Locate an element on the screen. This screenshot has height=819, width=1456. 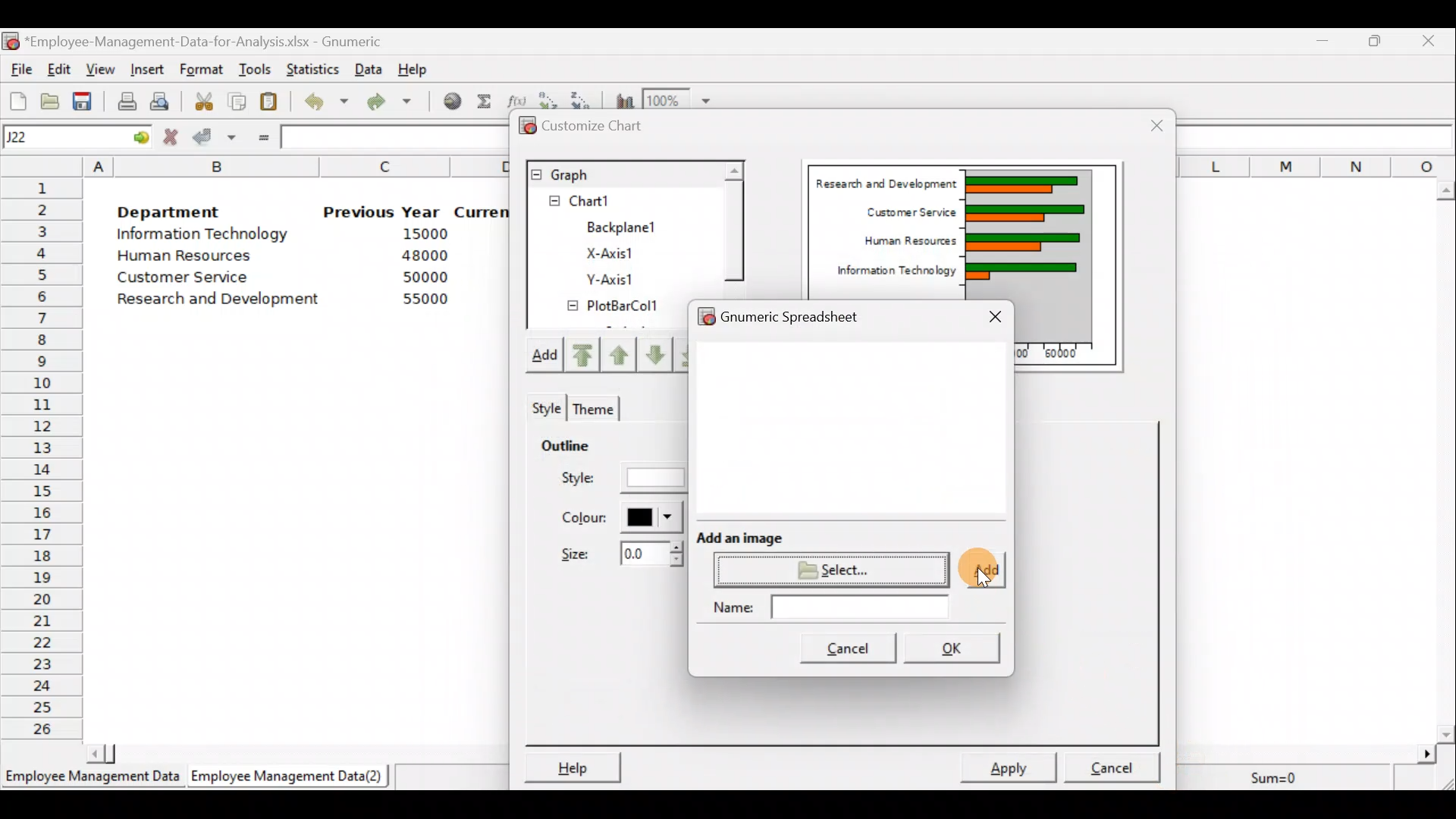
Print preview is located at coordinates (161, 101).